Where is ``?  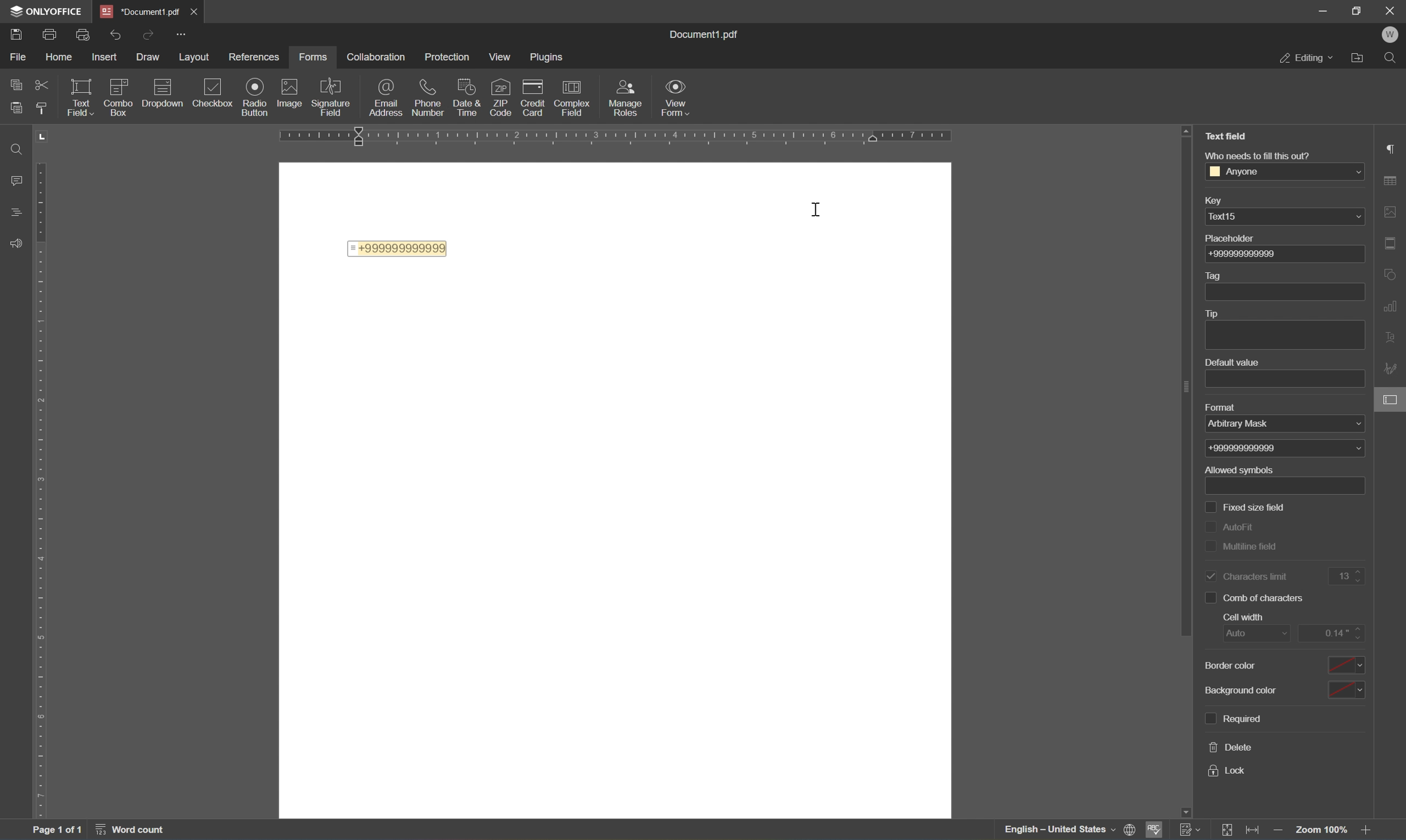  is located at coordinates (501, 57).